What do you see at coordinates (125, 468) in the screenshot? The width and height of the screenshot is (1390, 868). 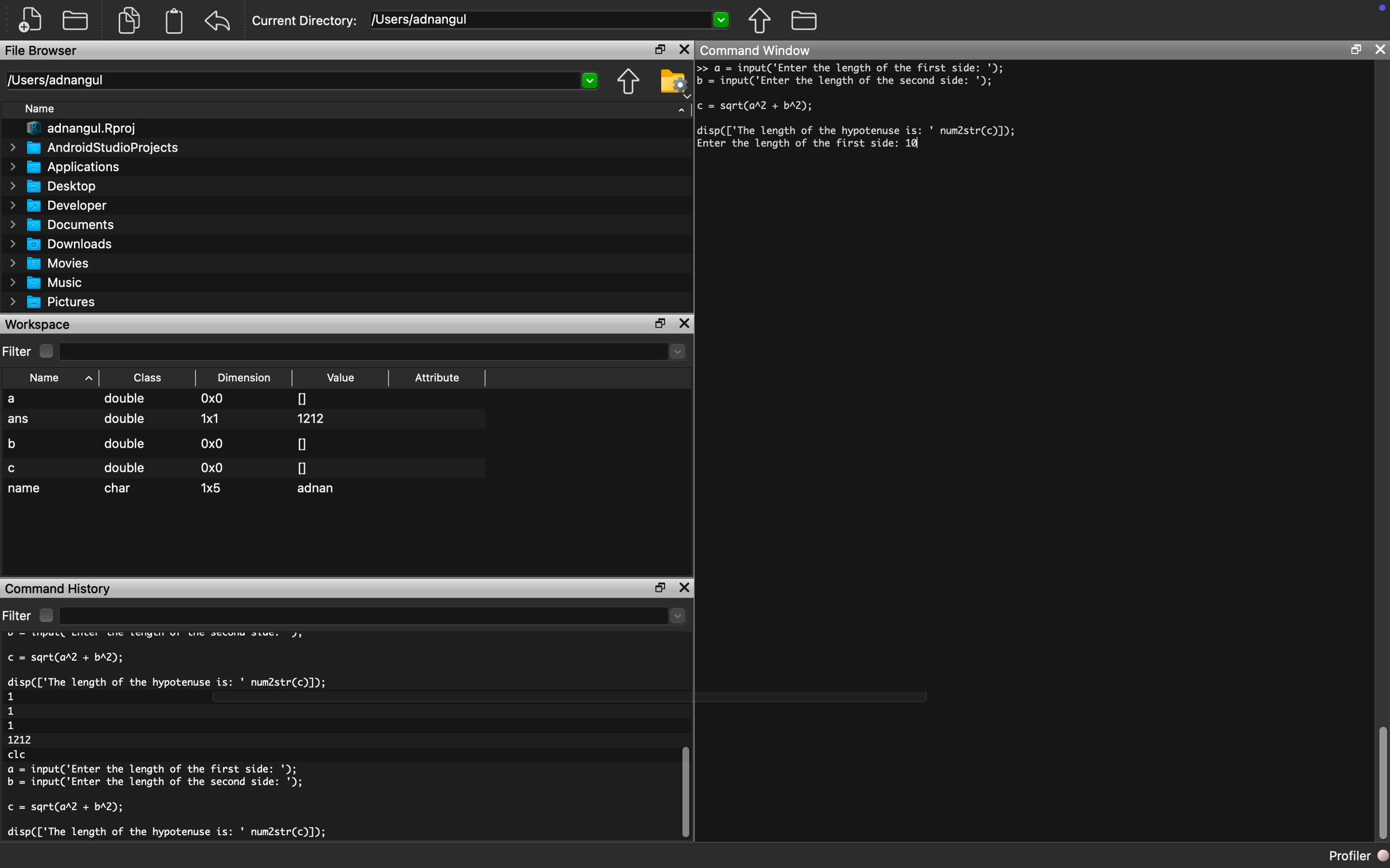 I see `double` at bounding box center [125, 468].